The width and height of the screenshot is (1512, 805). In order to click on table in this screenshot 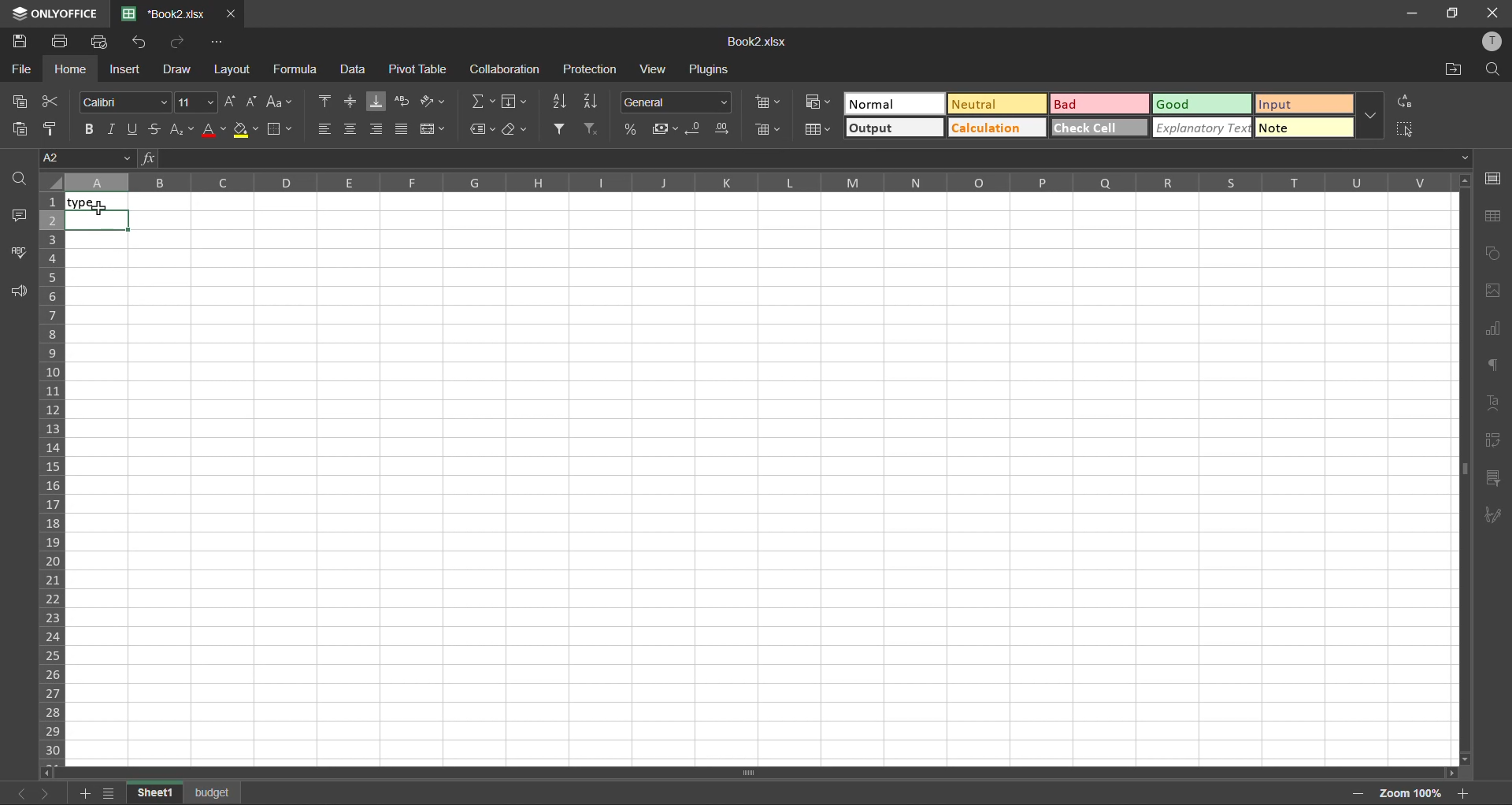, I will do `click(1497, 216)`.